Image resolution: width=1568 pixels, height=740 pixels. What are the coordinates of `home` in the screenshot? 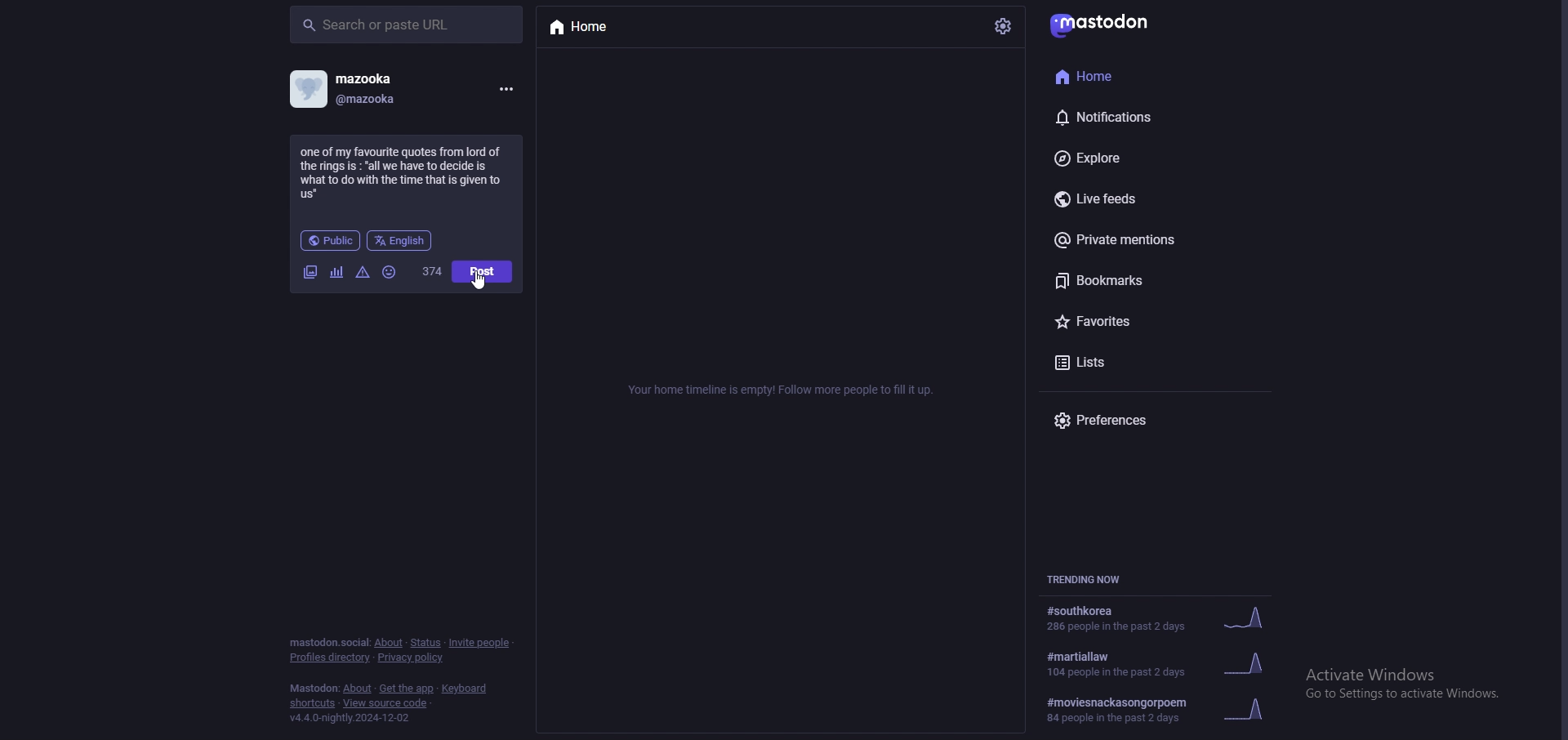 It's located at (598, 29).